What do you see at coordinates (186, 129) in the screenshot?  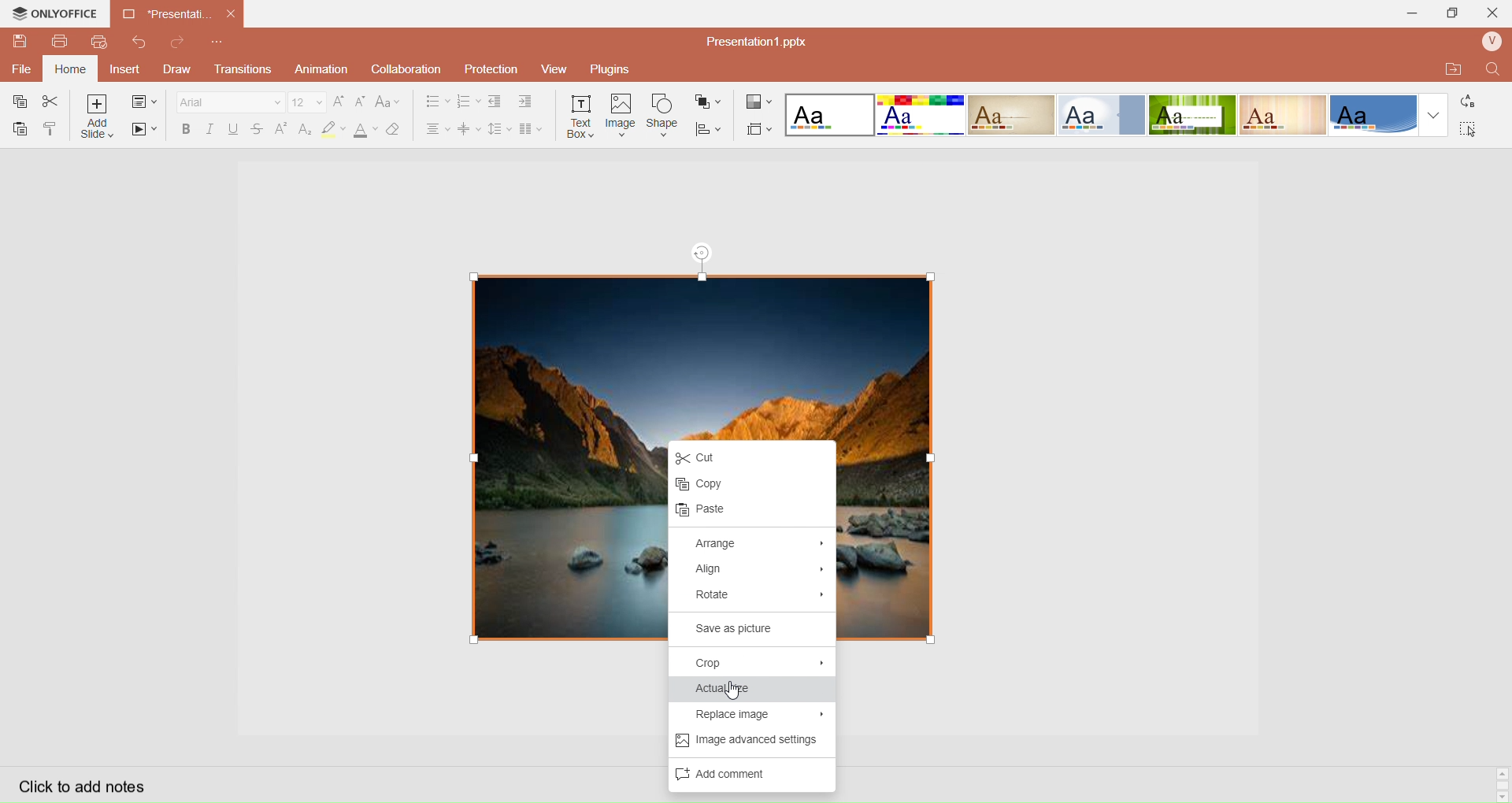 I see `Bold` at bounding box center [186, 129].